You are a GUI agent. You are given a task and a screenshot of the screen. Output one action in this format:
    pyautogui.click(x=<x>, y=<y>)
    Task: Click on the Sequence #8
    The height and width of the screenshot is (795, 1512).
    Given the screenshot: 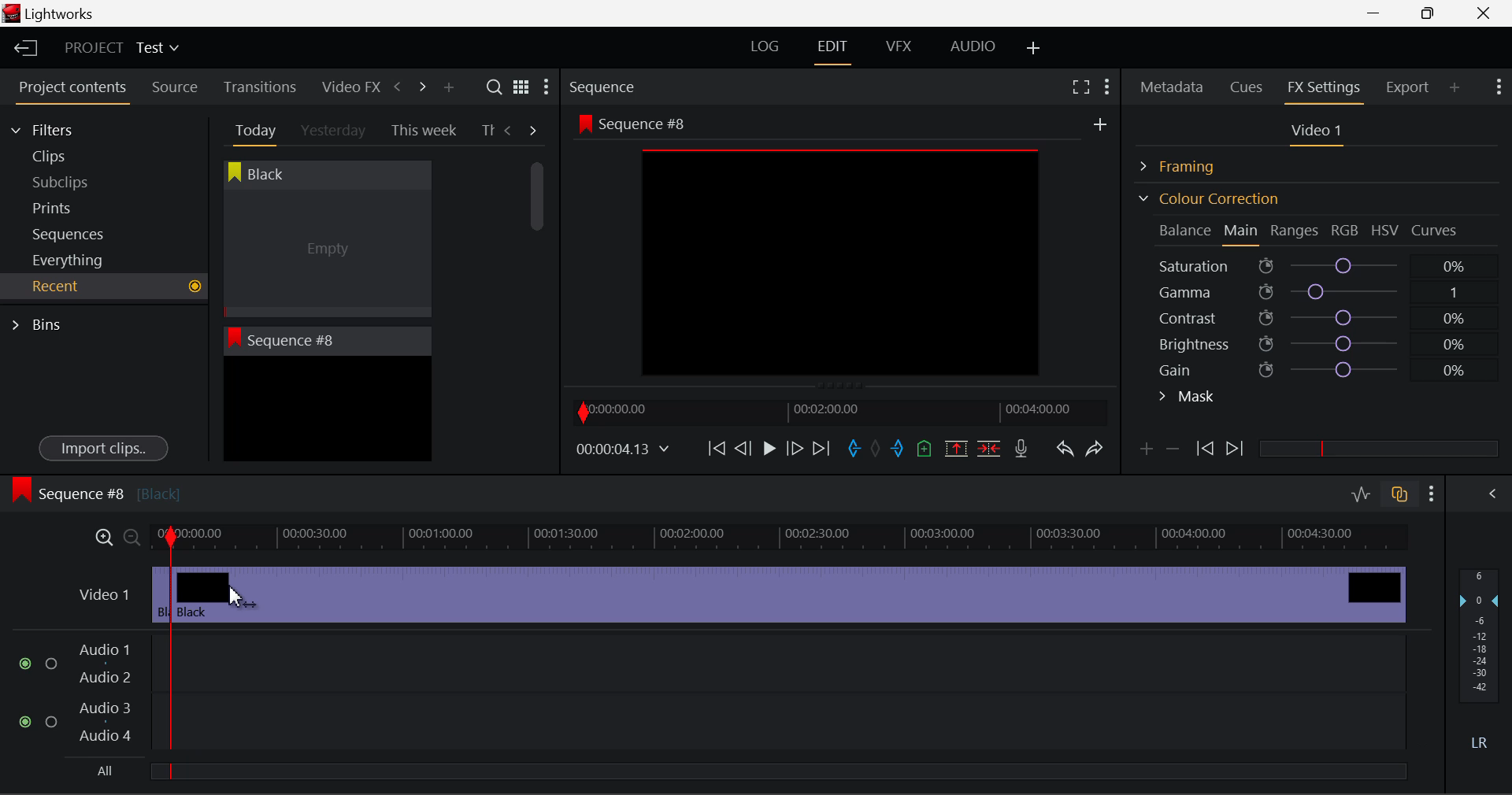 What is the action you would take?
    pyautogui.click(x=95, y=490)
    